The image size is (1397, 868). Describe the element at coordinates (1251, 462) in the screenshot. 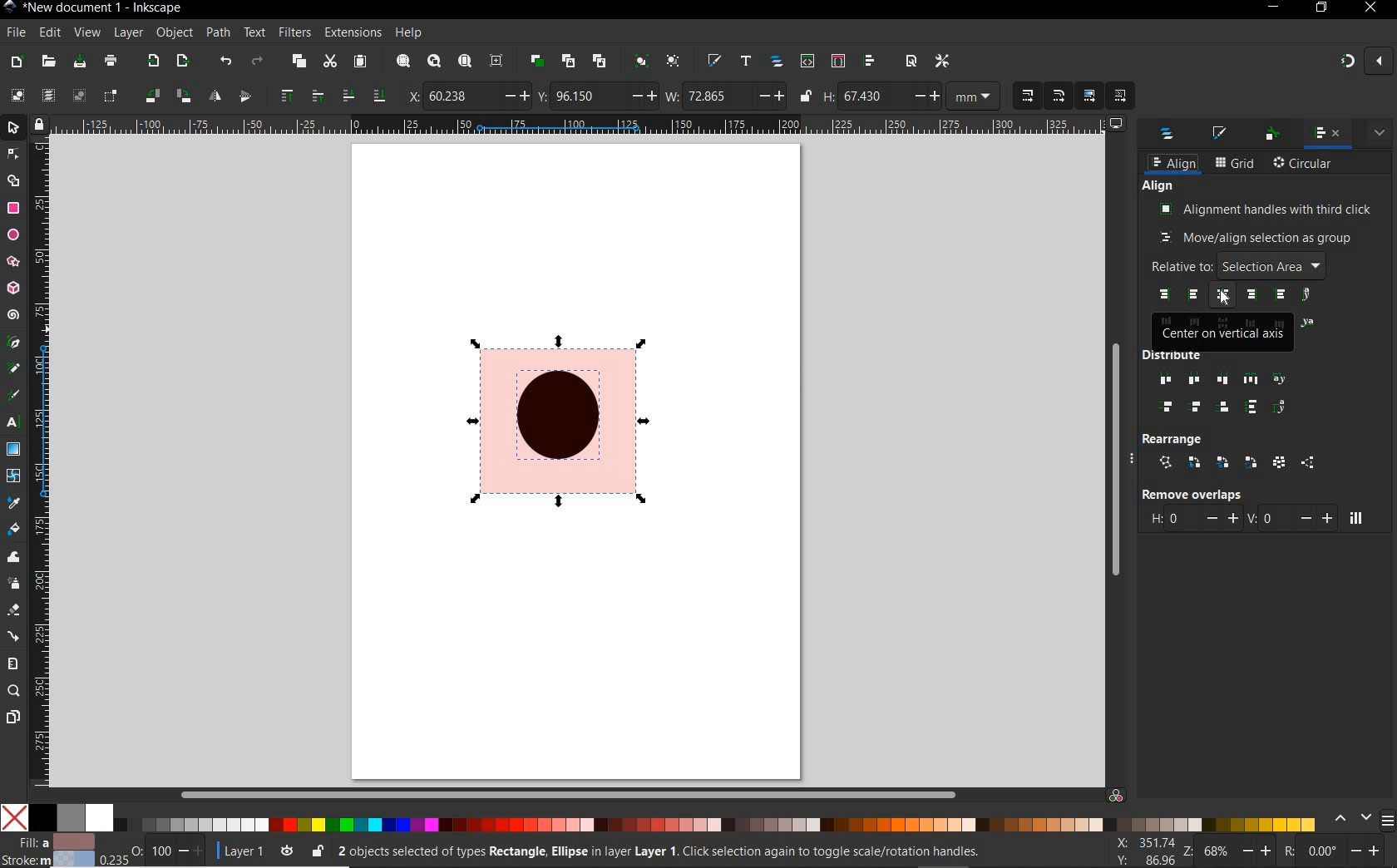

I see `EXCHANGE AROUND CENTER` at that location.